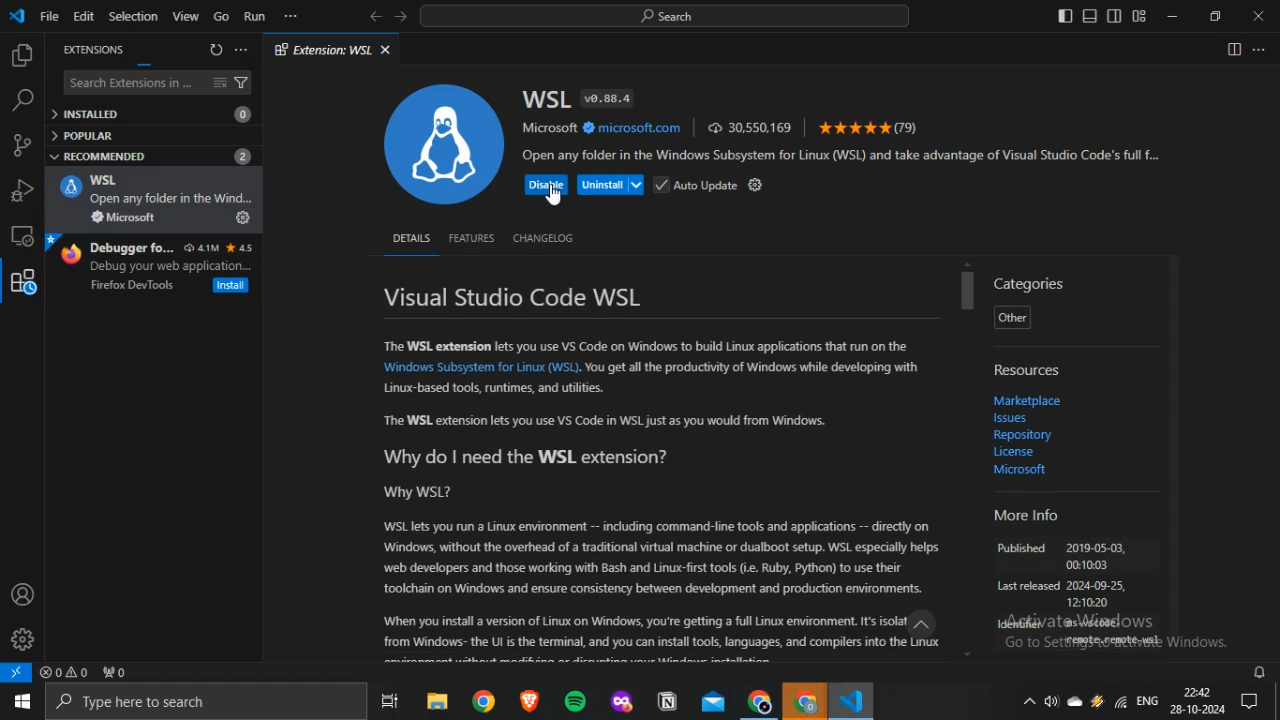 The width and height of the screenshot is (1280, 720). I want to click on Disable, so click(547, 185).